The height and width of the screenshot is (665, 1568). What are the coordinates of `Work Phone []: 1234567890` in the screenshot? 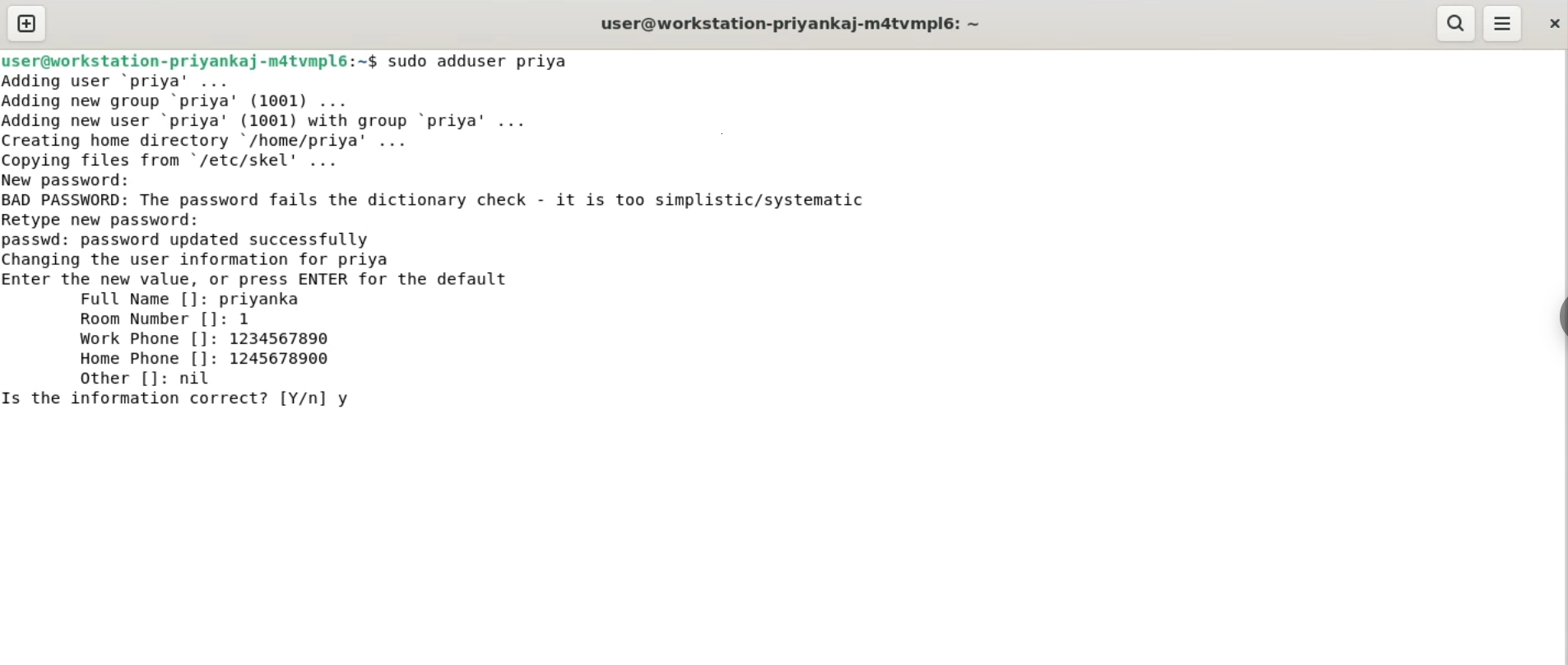 It's located at (208, 339).